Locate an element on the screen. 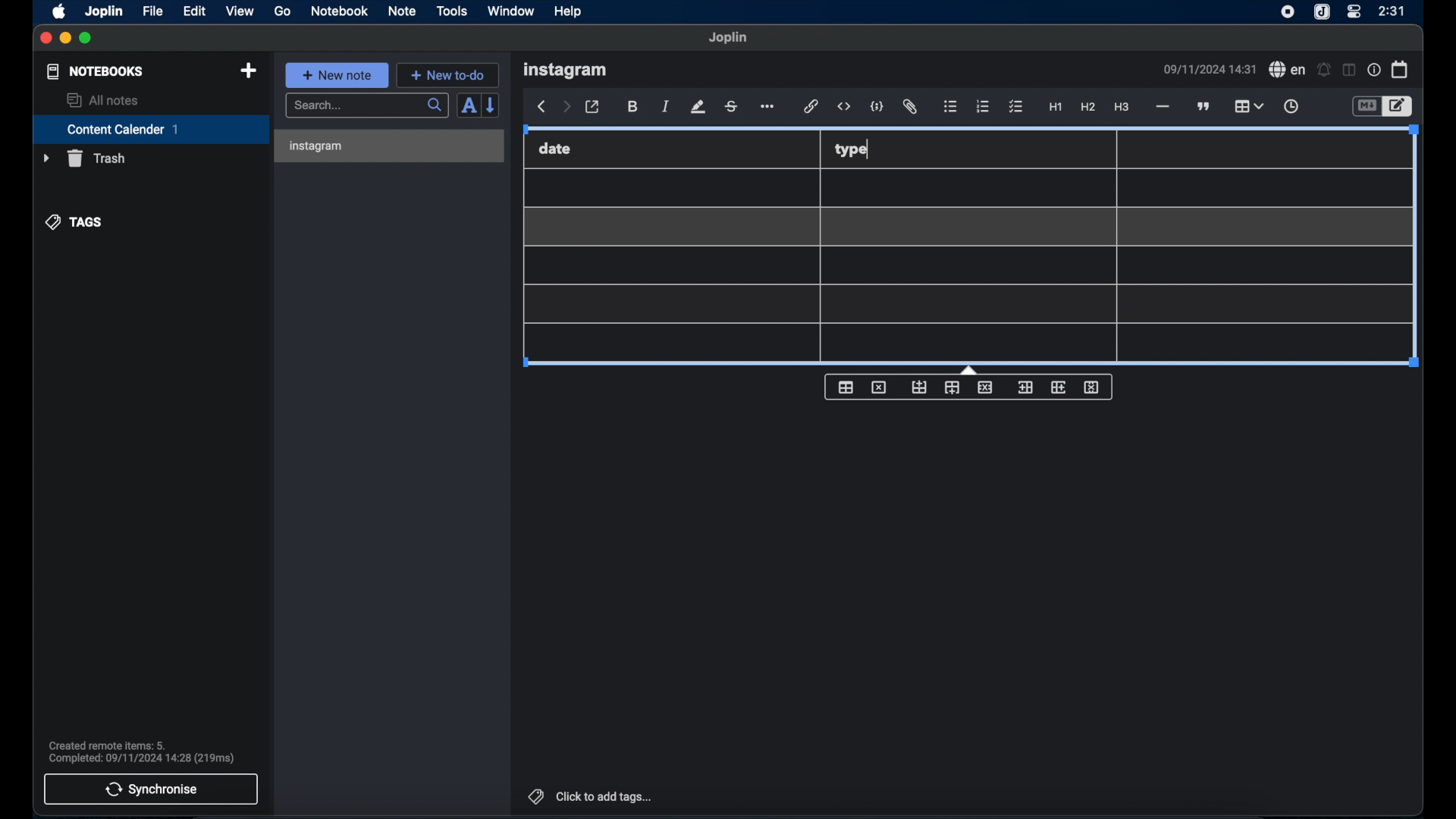  horizontal line is located at coordinates (1163, 108).